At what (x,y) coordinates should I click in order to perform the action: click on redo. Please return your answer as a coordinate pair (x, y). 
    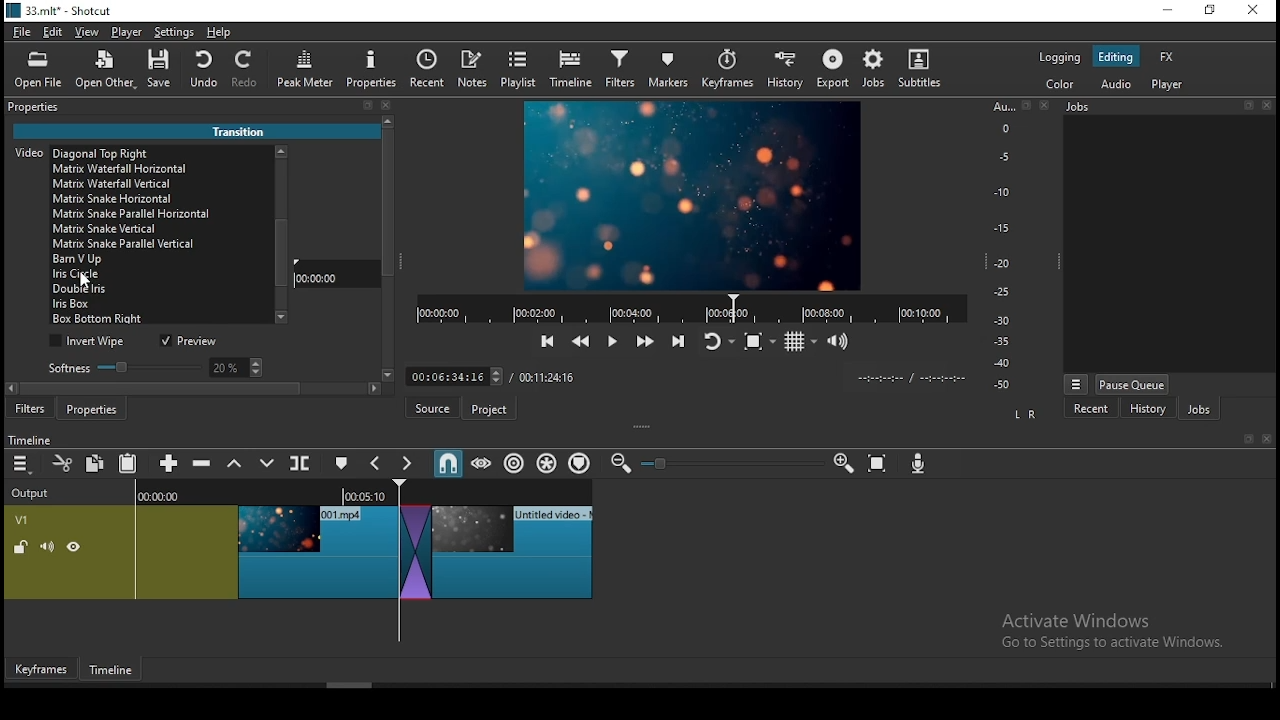
    Looking at the image, I should click on (248, 72).